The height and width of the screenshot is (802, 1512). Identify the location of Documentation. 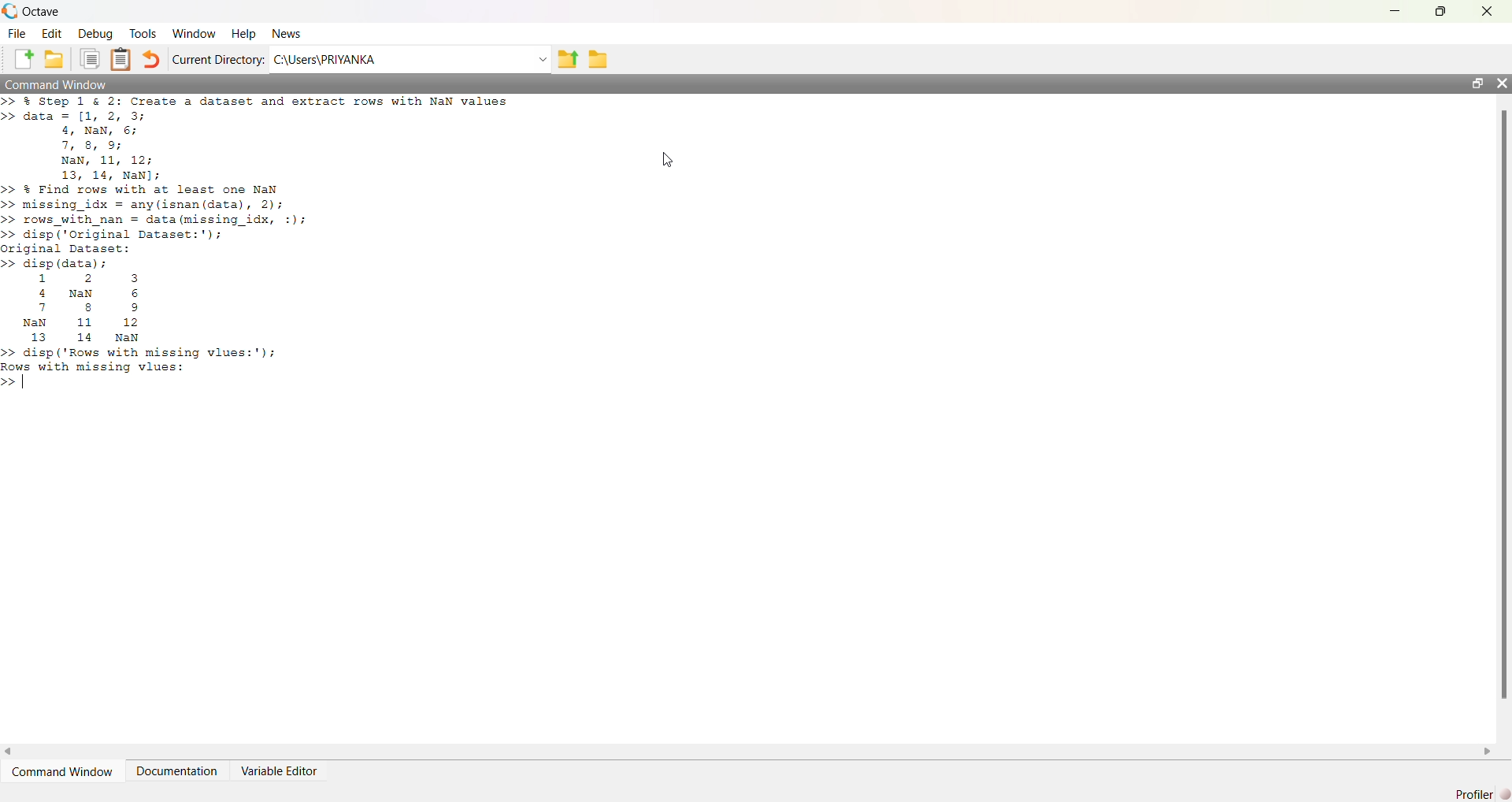
(176, 771).